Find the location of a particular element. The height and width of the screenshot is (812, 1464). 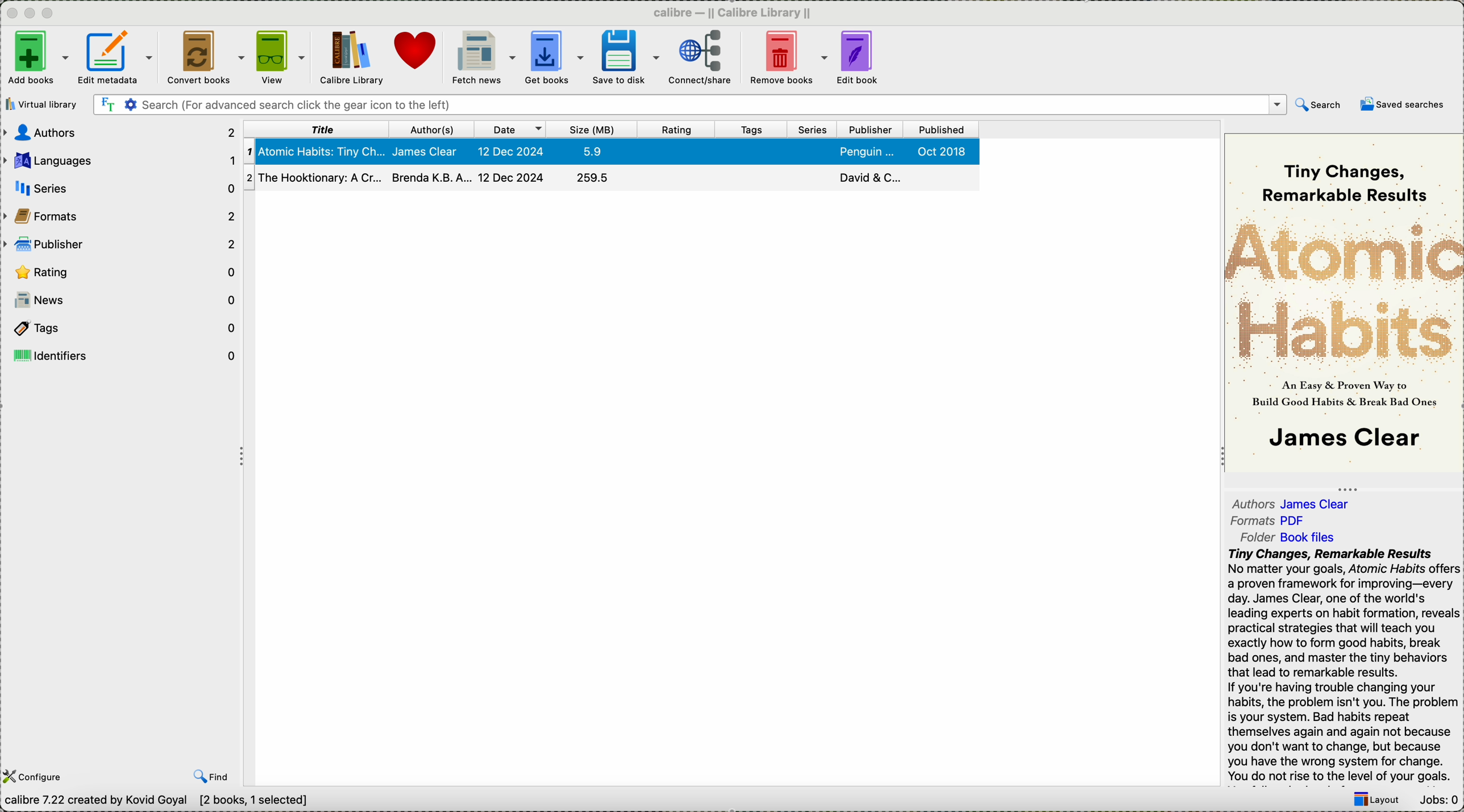

Jobs: 0 is located at coordinates (1437, 799).